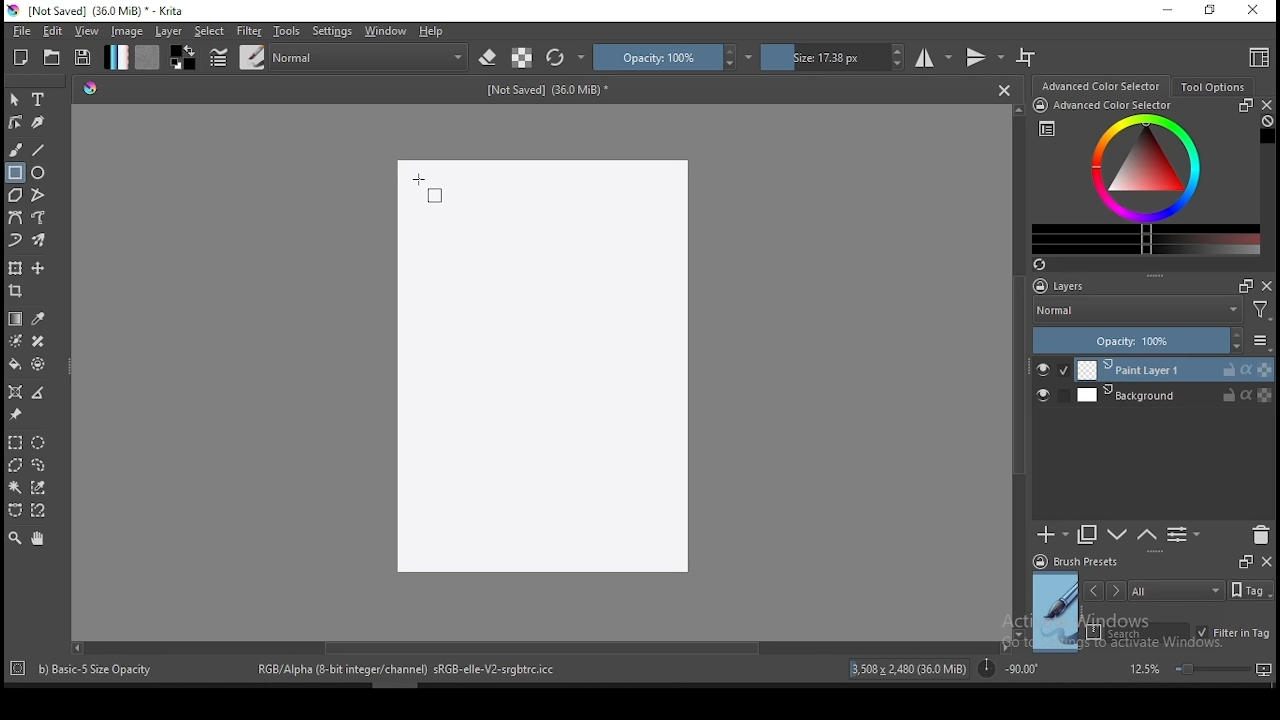 Image resolution: width=1280 pixels, height=720 pixels. I want to click on , so click(985, 55).